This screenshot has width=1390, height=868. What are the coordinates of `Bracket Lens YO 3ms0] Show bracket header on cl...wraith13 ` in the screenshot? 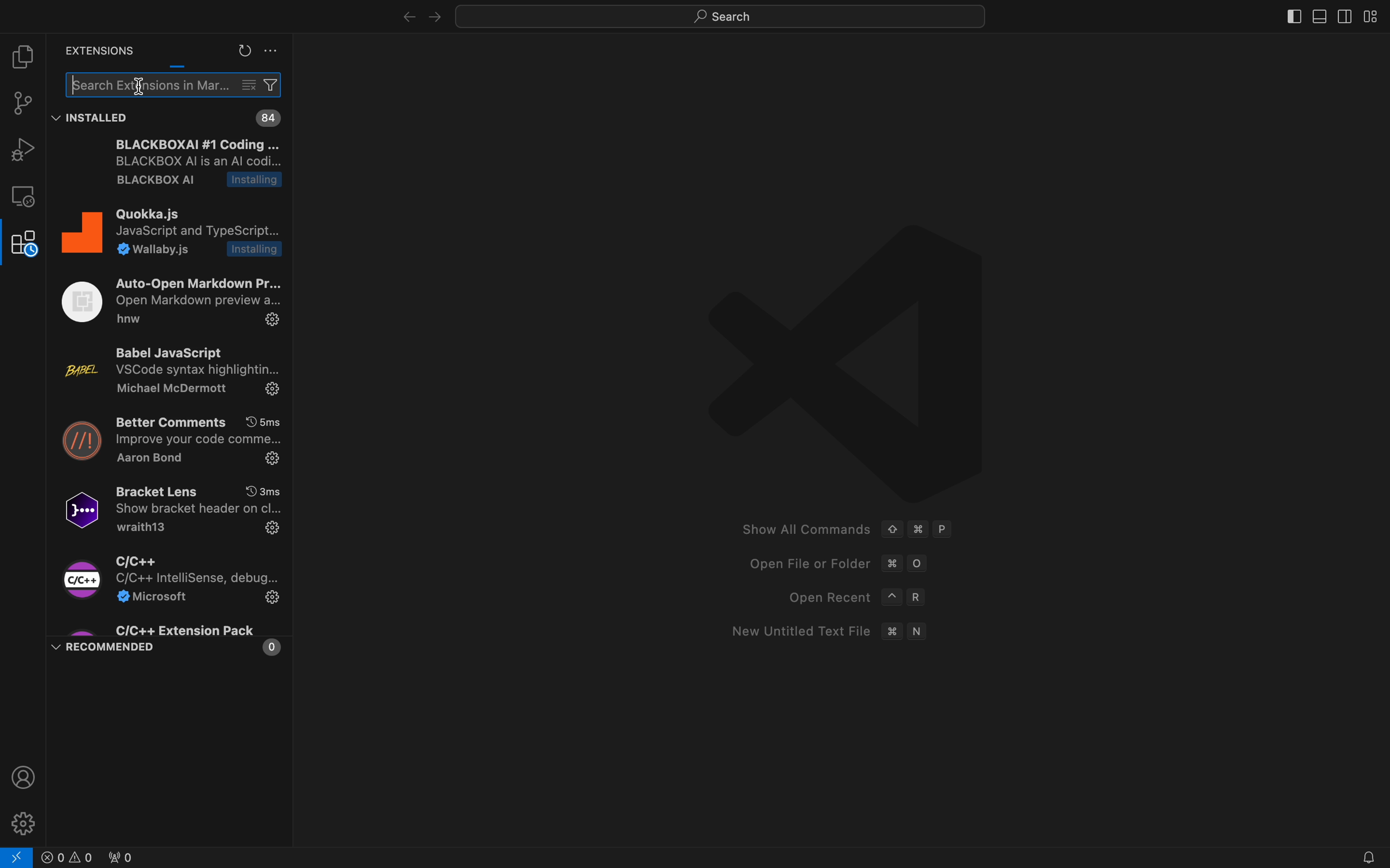 It's located at (165, 517).